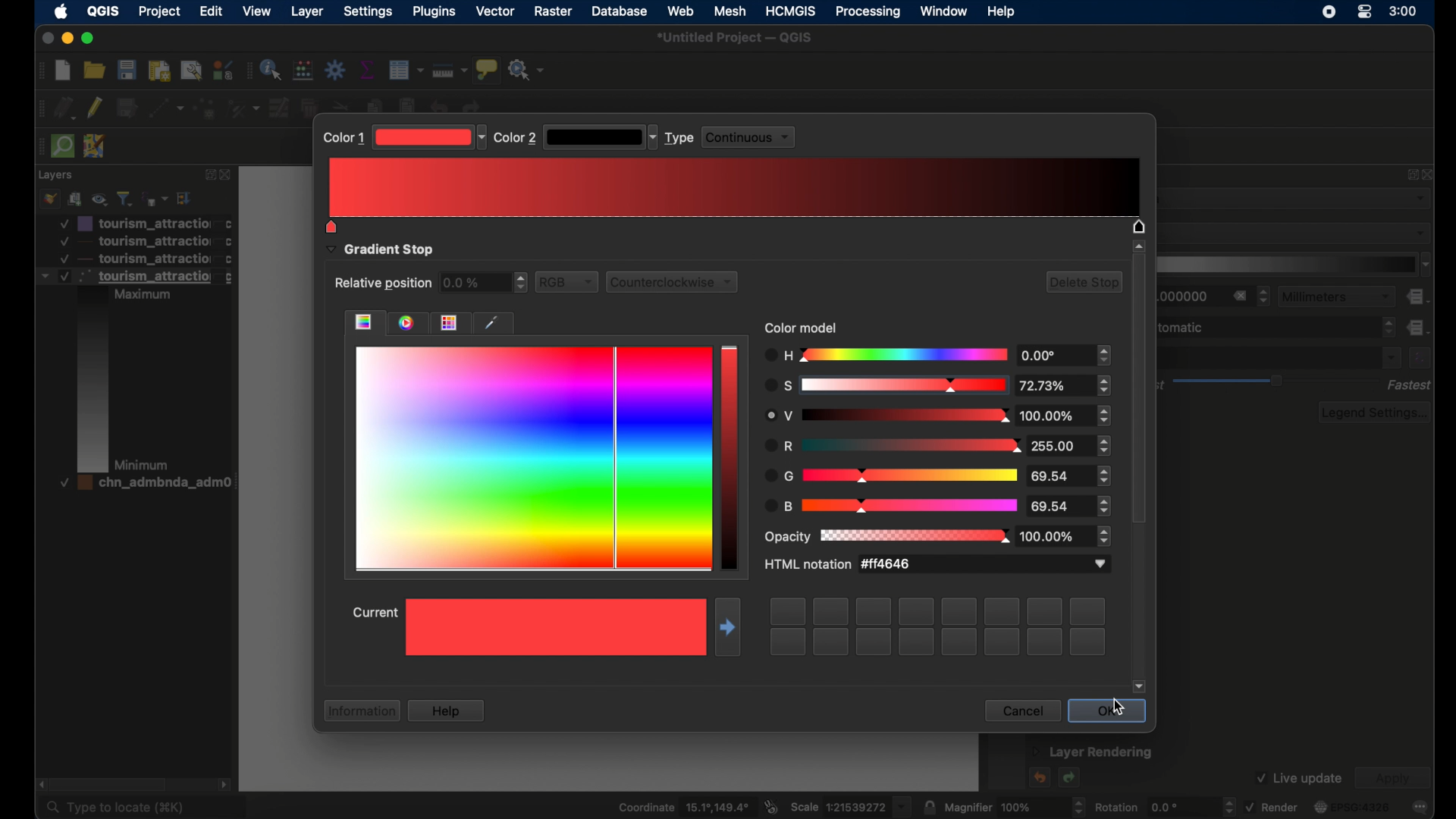 Image resolution: width=1456 pixels, height=819 pixels. What do you see at coordinates (124, 197) in the screenshot?
I see `filter` at bounding box center [124, 197].